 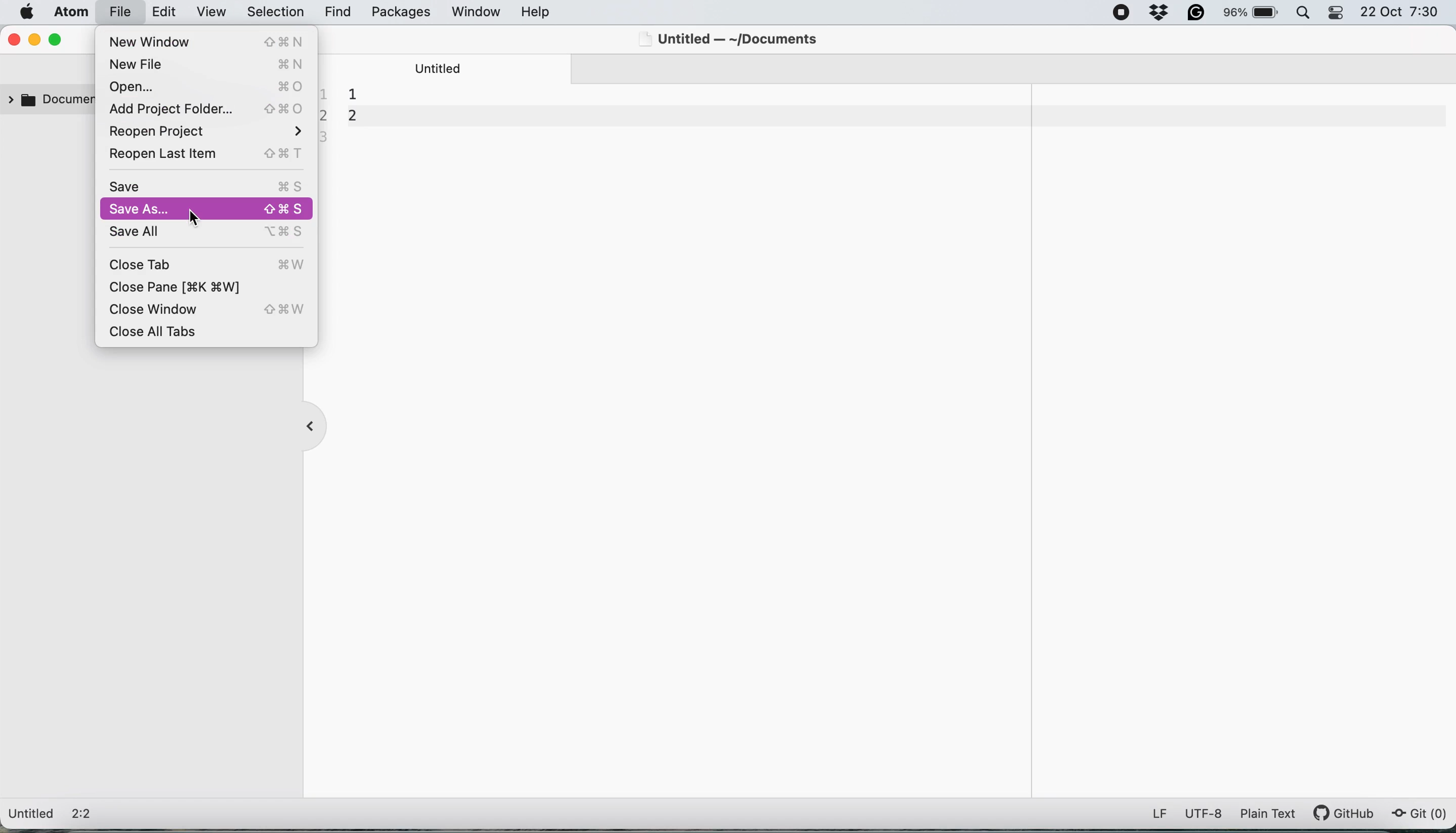 What do you see at coordinates (205, 129) in the screenshot?
I see `Reopen Project` at bounding box center [205, 129].